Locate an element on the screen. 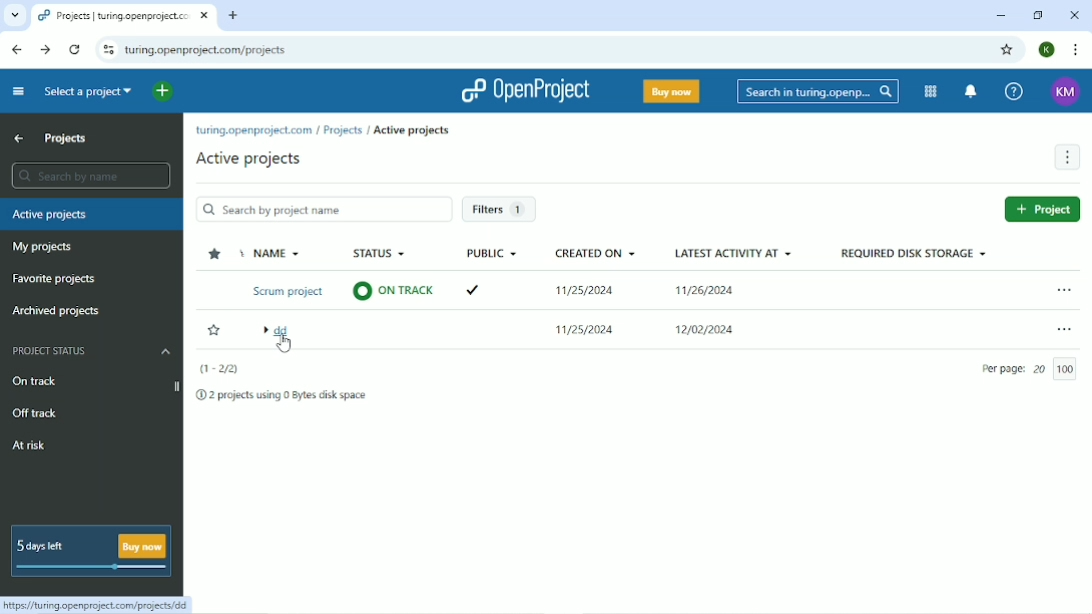 Image resolution: width=1092 pixels, height=614 pixels. Filters is located at coordinates (500, 210).